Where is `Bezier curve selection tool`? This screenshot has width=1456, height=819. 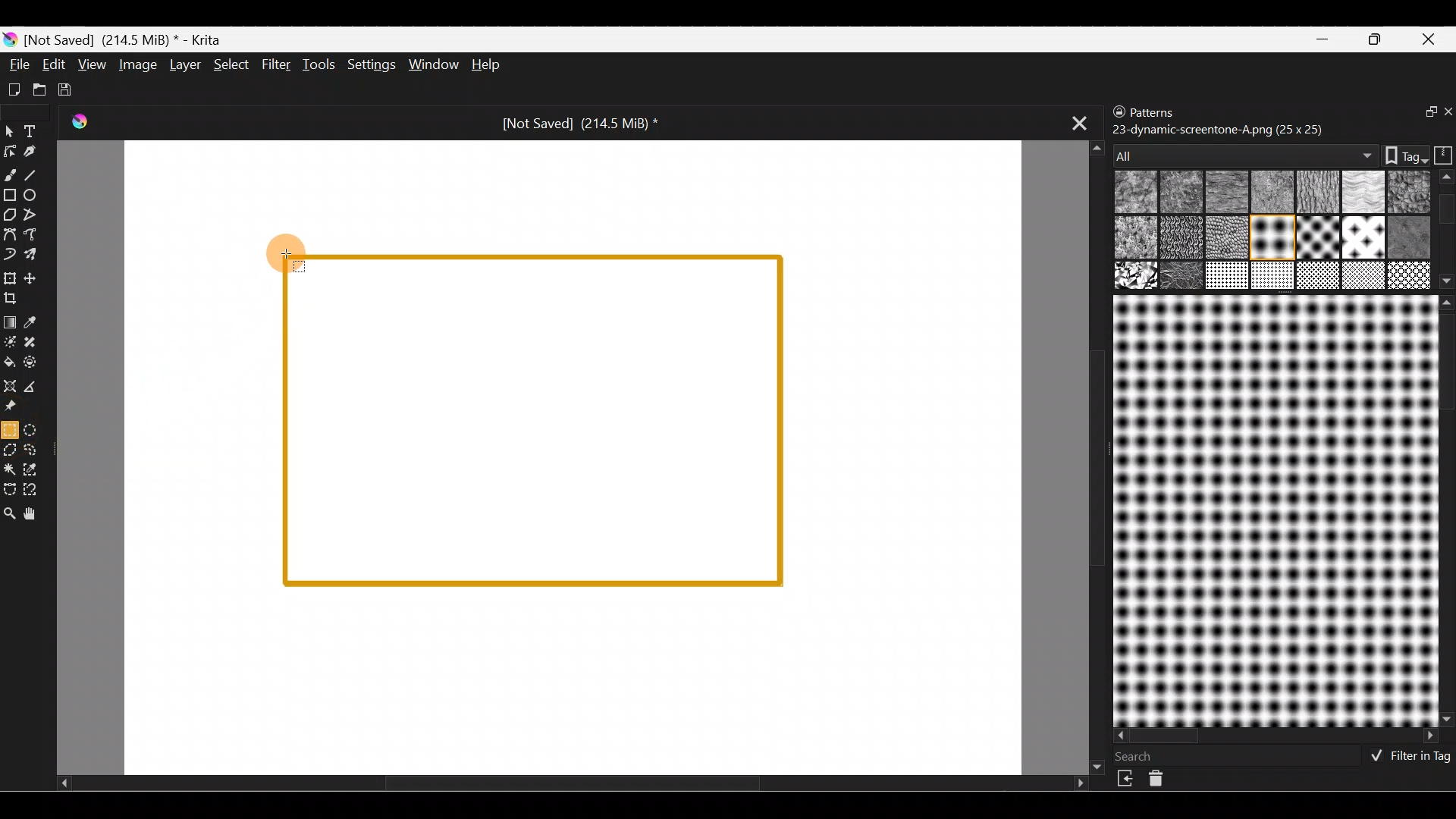 Bezier curve selection tool is located at coordinates (11, 489).